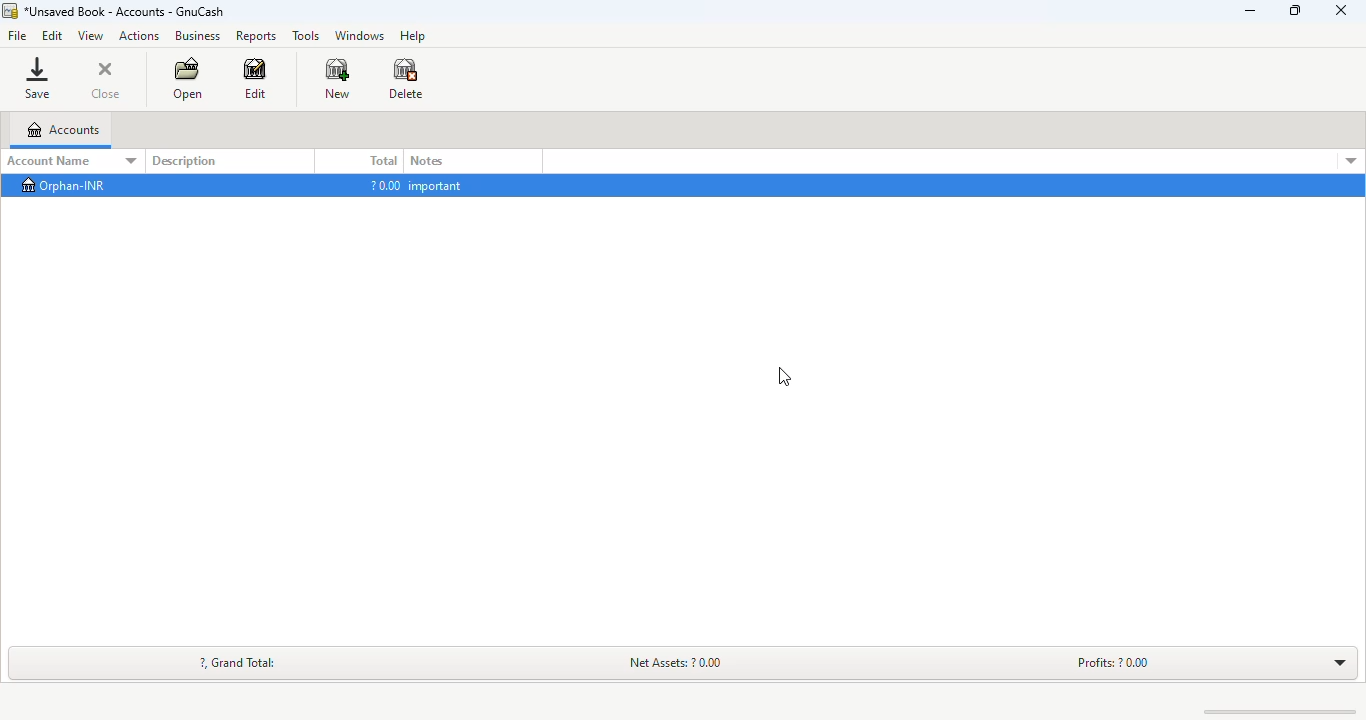 The width and height of the screenshot is (1366, 720). Describe the element at coordinates (415, 36) in the screenshot. I see `help` at that location.